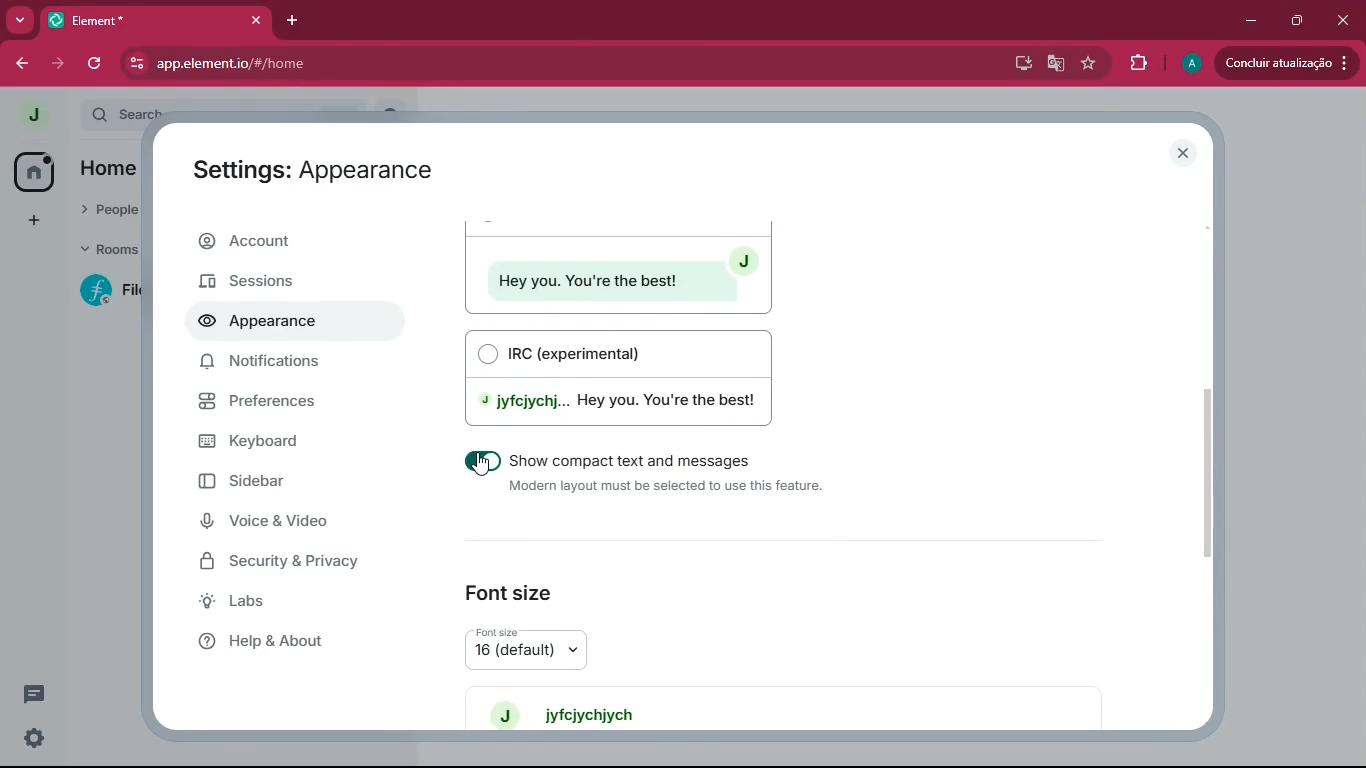  What do you see at coordinates (1217, 471) in the screenshot?
I see `scroll bar` at bounding box center [1217, 471].